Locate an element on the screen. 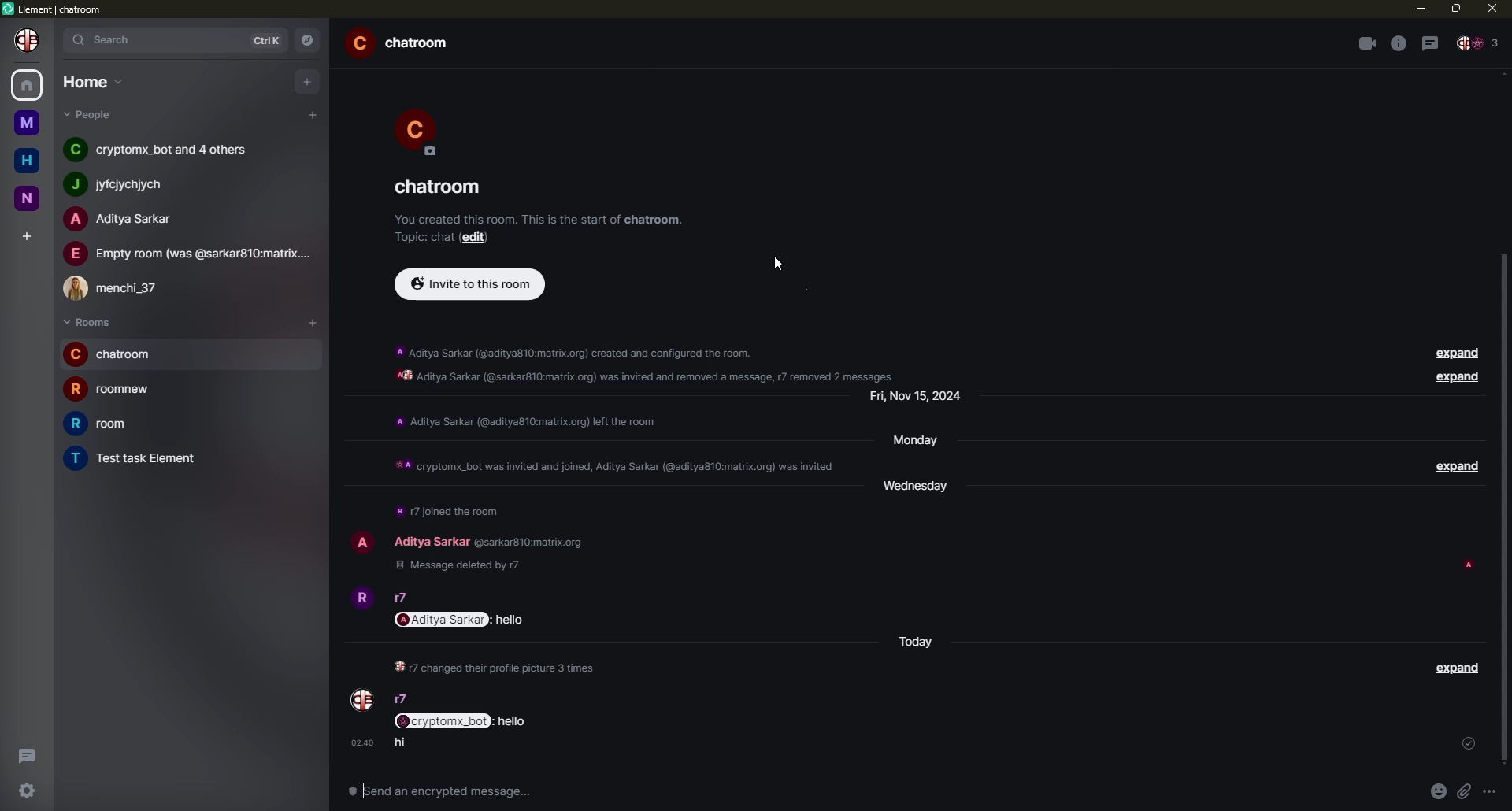 This screenshot has height=811, width=1512. room is located at coordinates (139, 458).